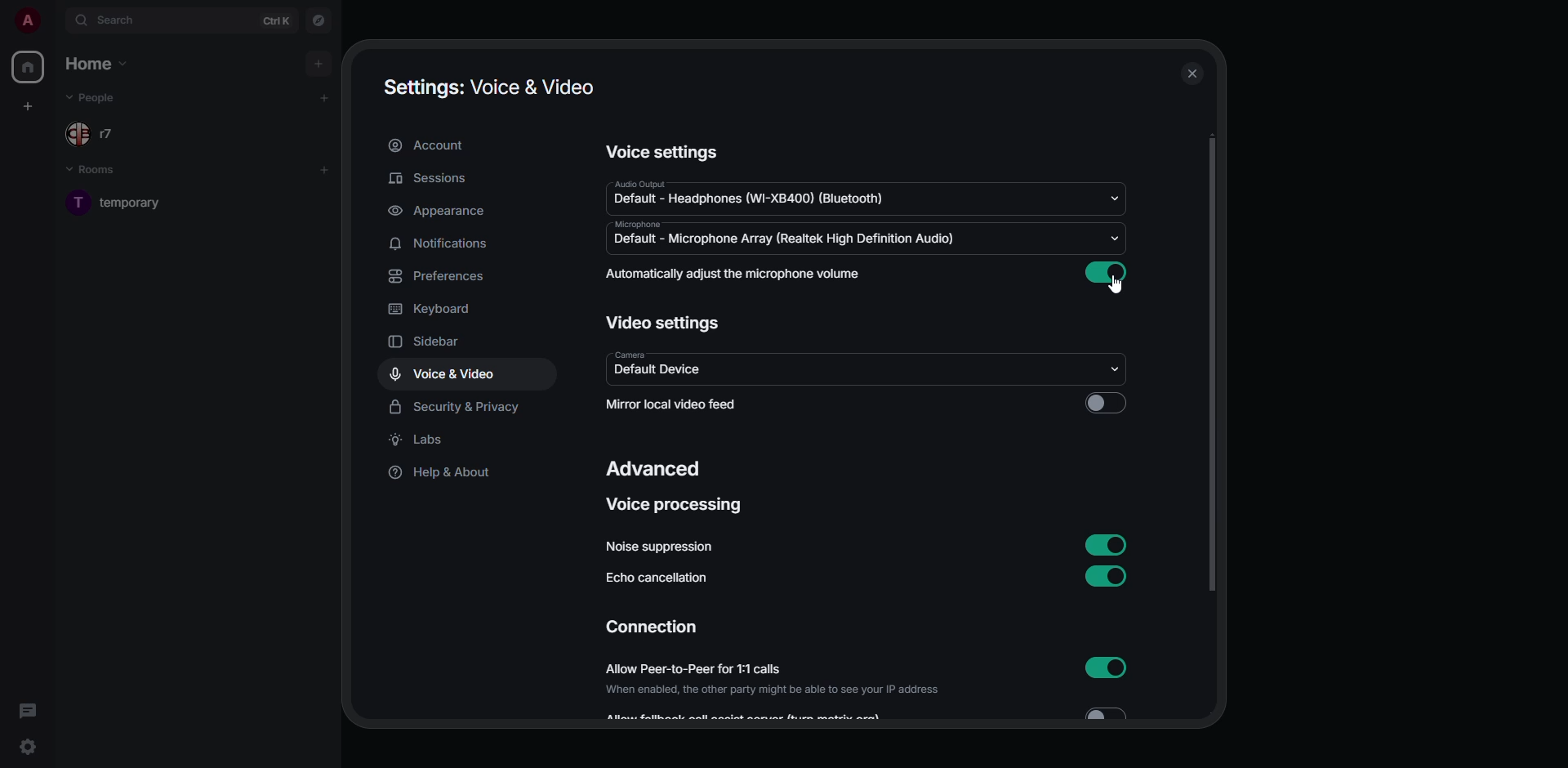 The height and width of the screenshot is (768, 1568). Describe the element at coordinates (321, 63) in the screenshot. I see `add` at that location.